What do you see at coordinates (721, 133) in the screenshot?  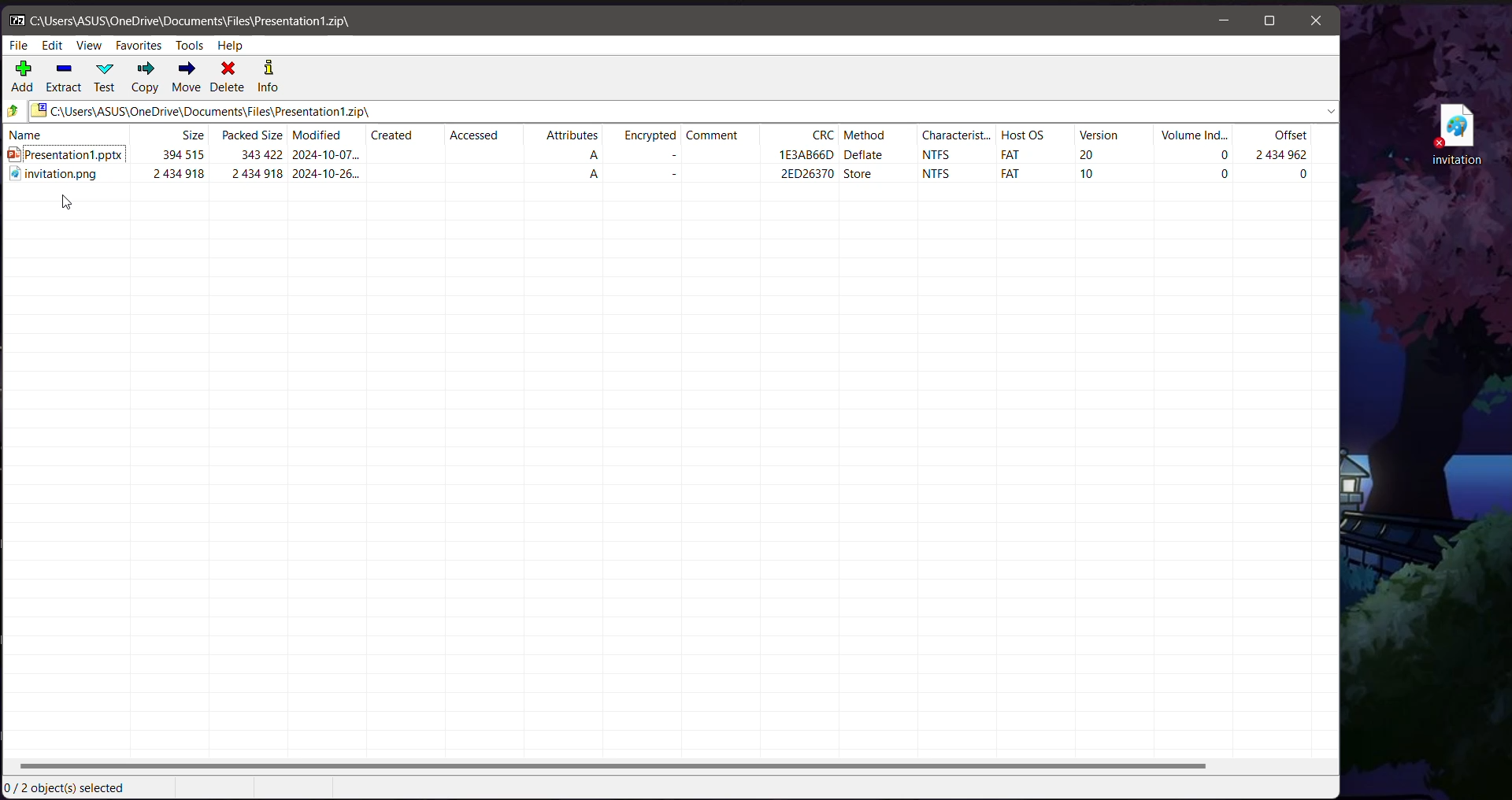 I see `Comment` at bounding box center [721, 133].